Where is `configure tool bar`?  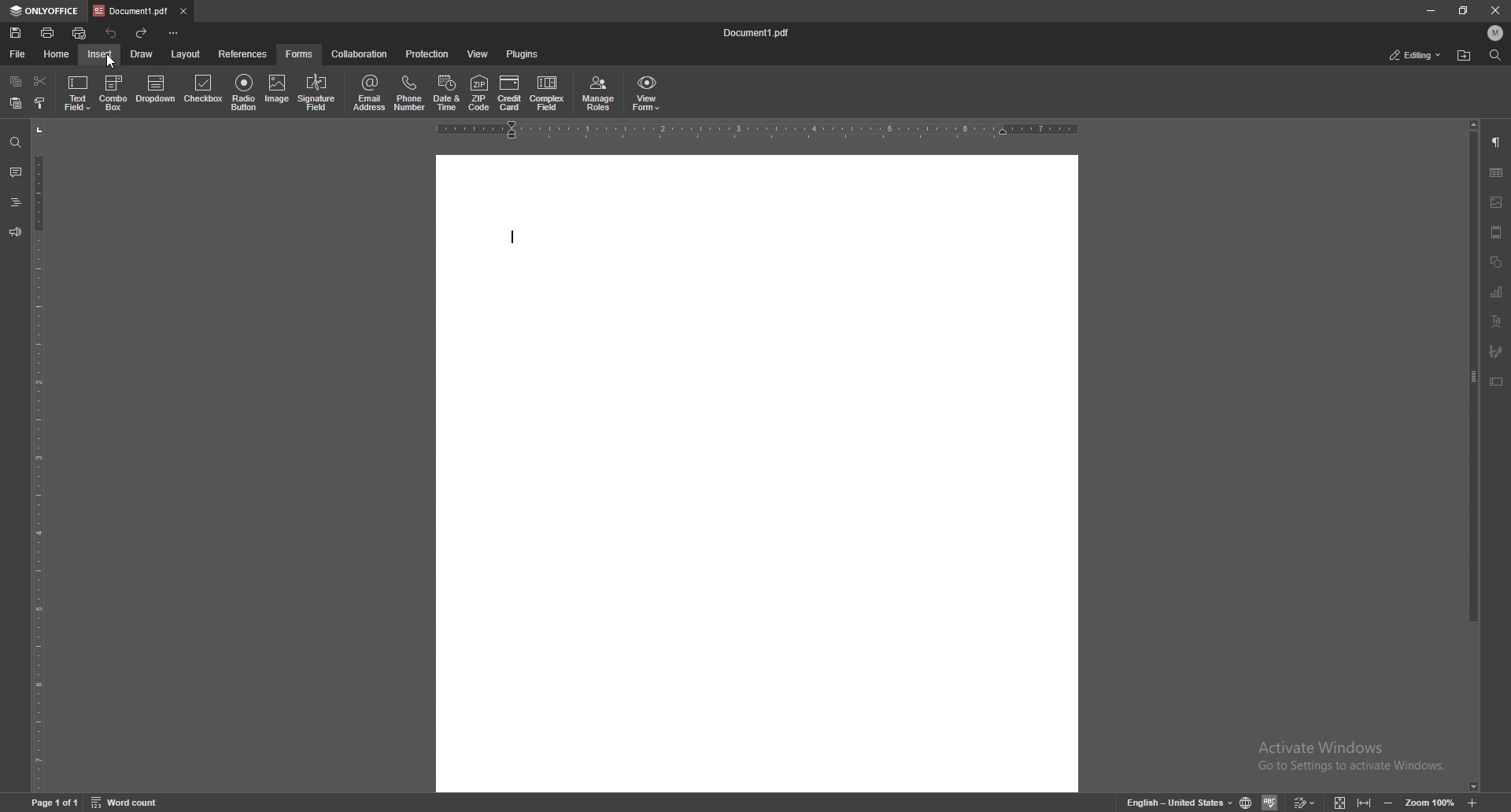
configure tool bar is located at coordinates (175, 33).